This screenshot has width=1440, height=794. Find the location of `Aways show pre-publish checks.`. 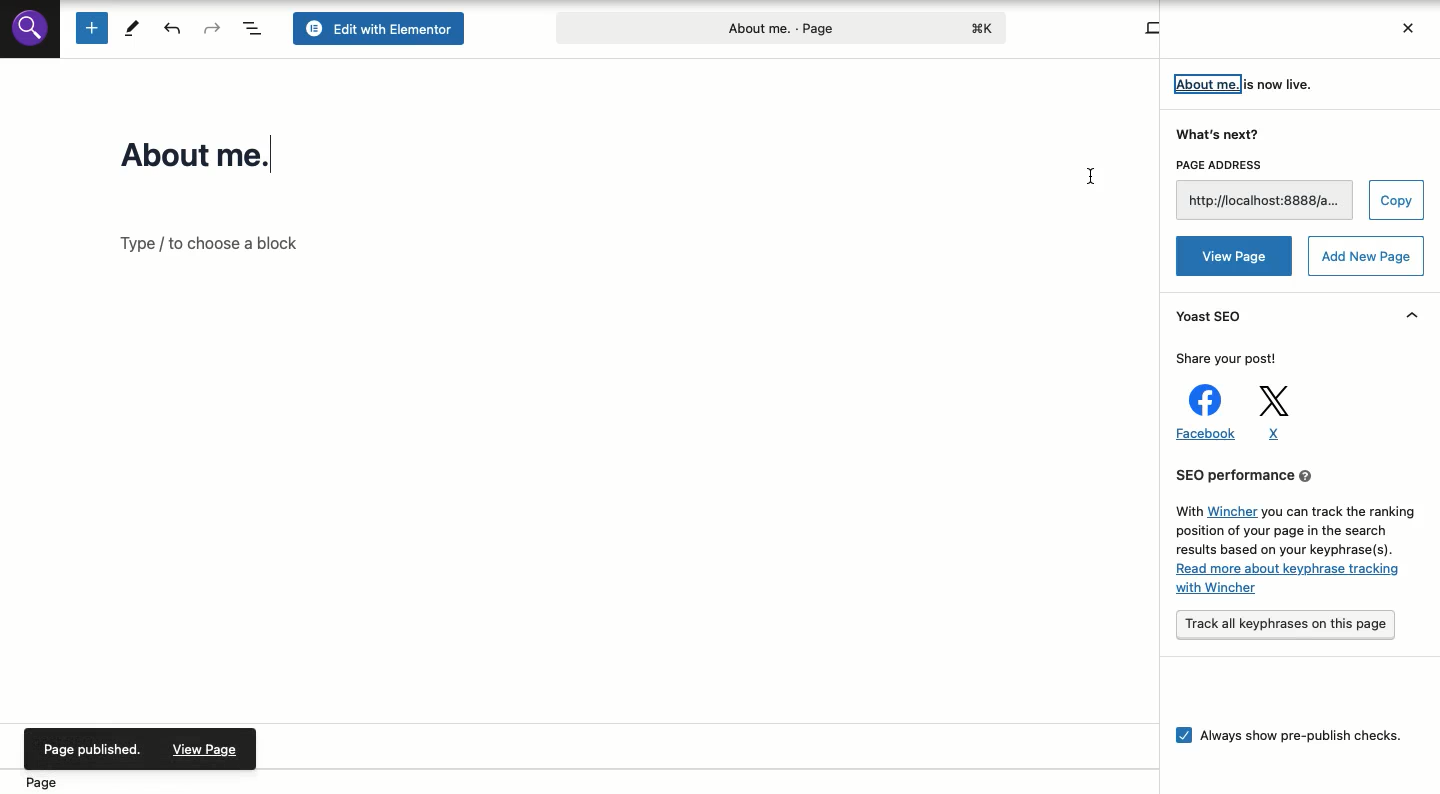

Aways show pre-publish checks. is located at coordinates (1291, 738).